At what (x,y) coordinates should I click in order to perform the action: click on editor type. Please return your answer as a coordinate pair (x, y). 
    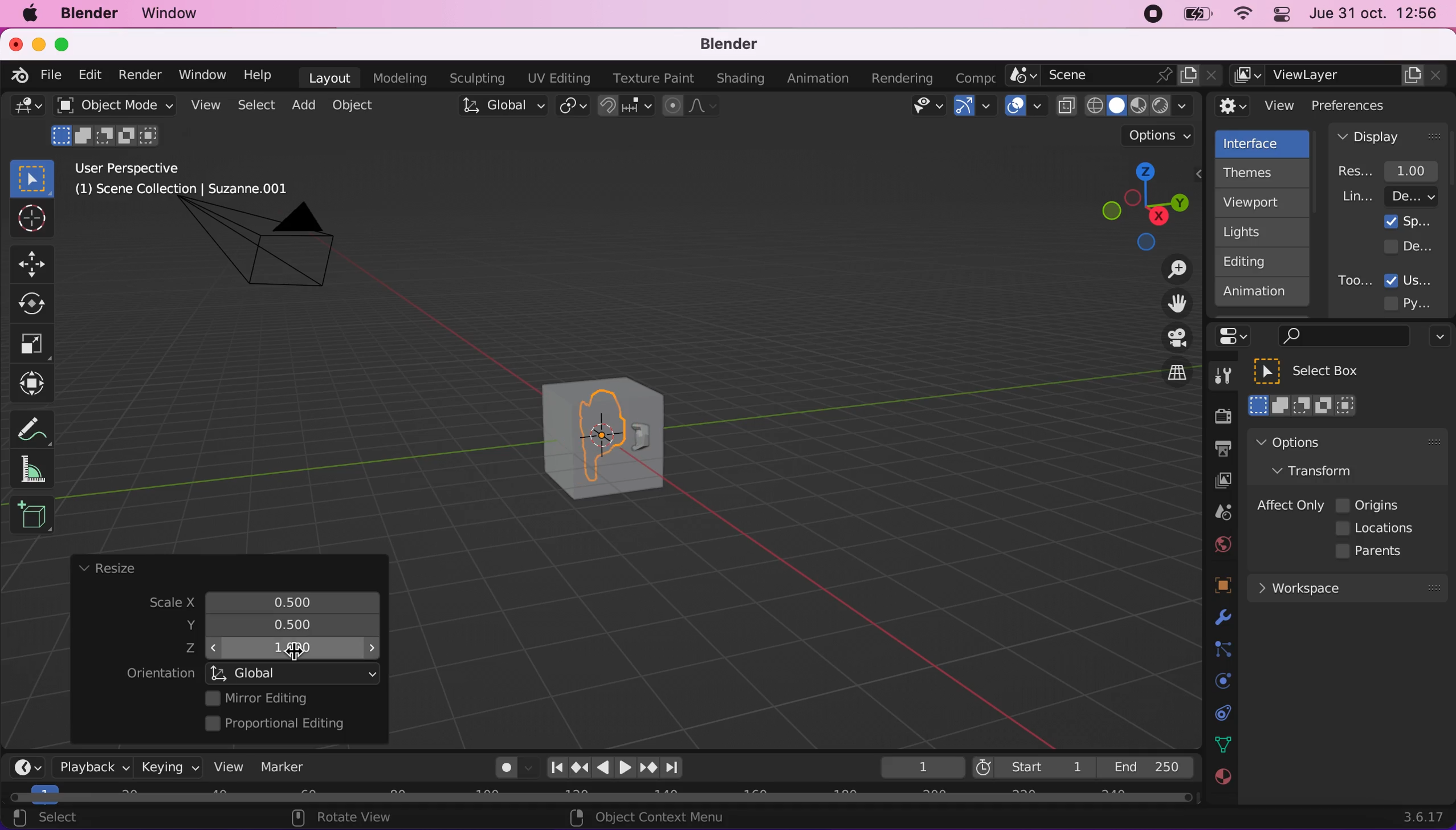
    Looking at the image, I should click on (23, 758).